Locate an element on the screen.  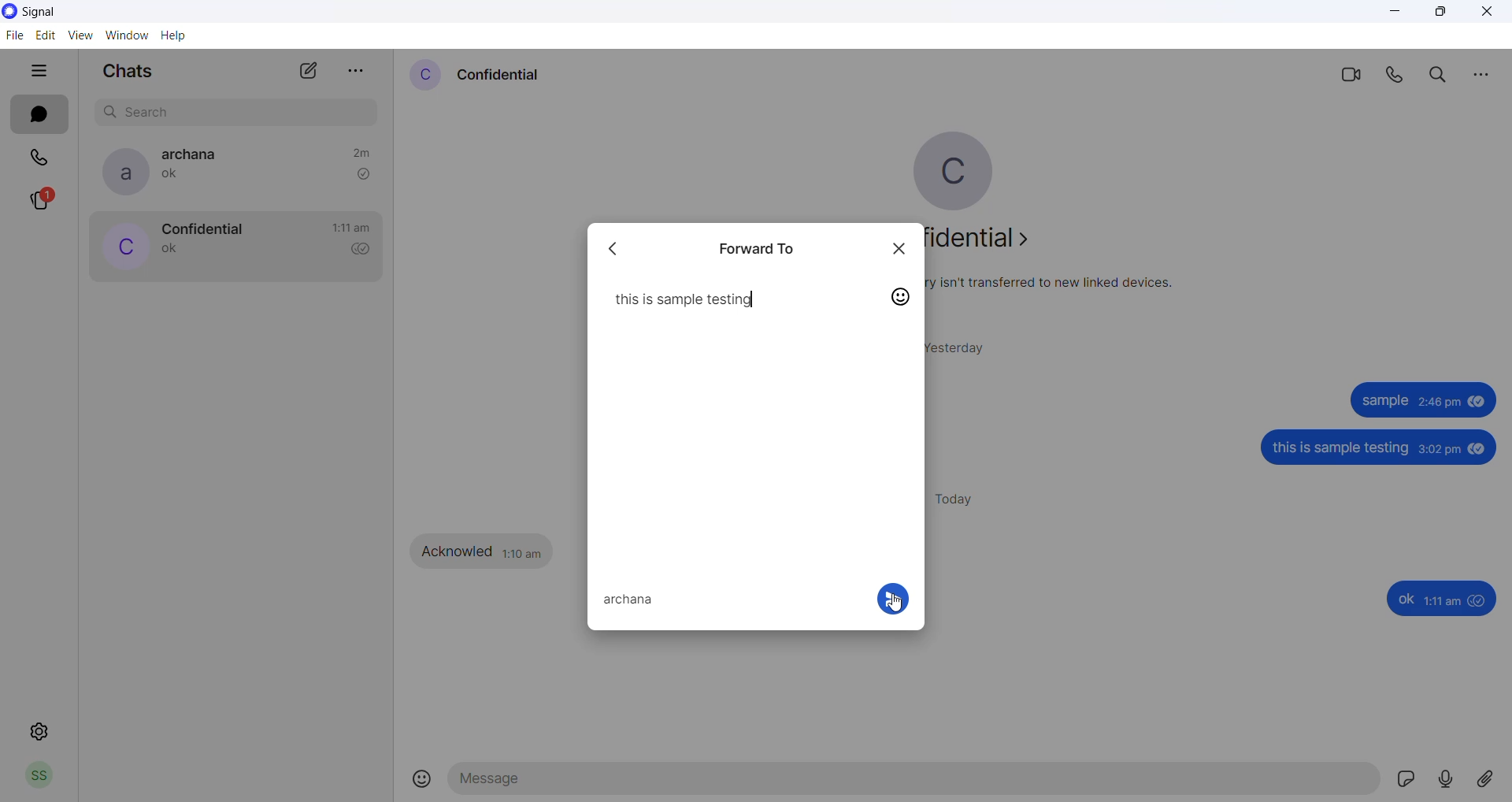
chats heading is located at coordinates (127, 74).